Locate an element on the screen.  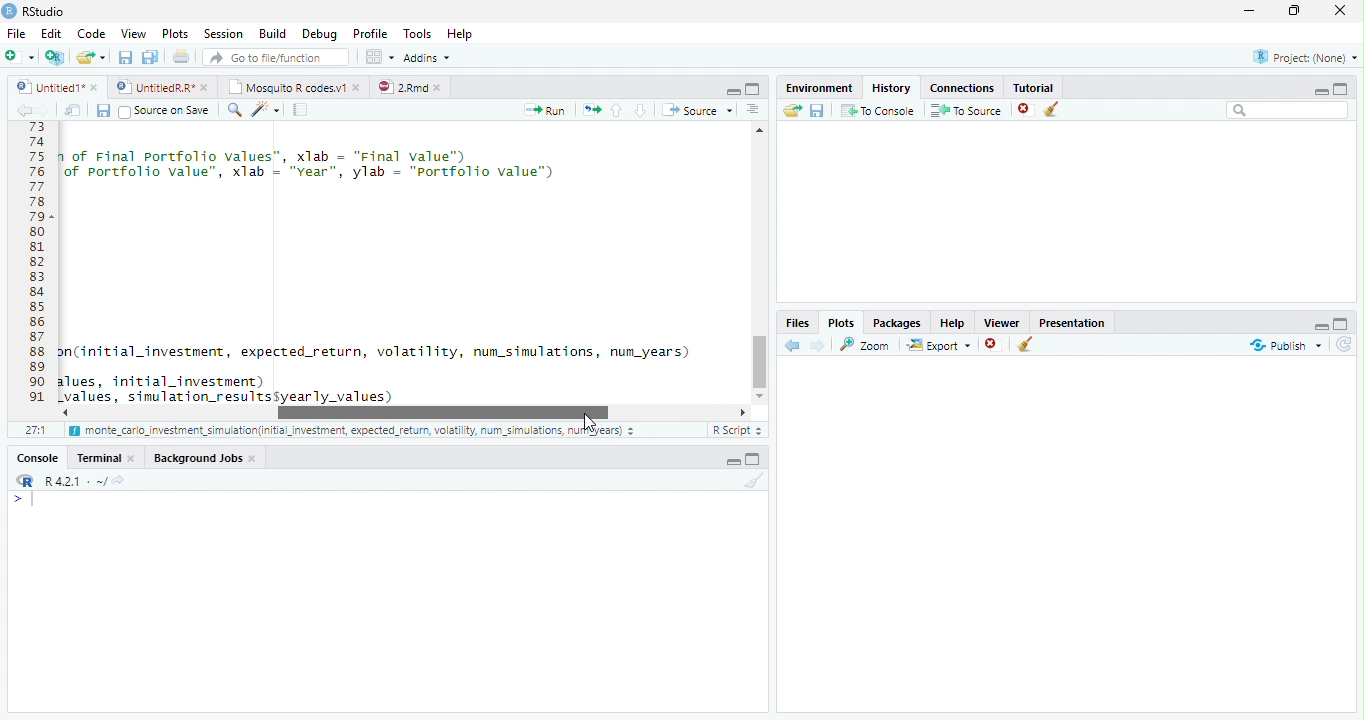
Hide is located at coordinates (1321, 90).